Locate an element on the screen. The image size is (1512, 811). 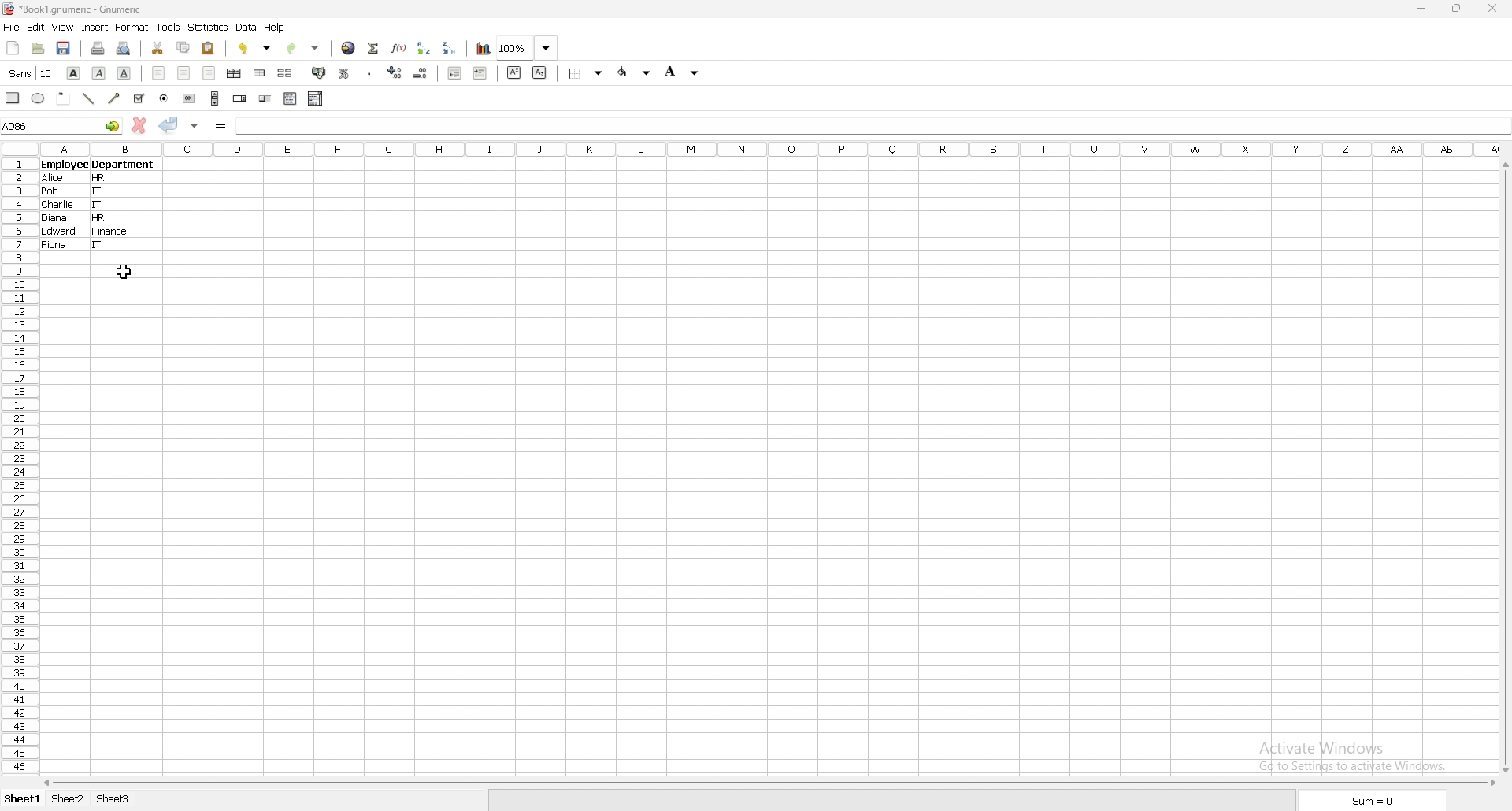
decrease decimals is located at coordinates (421, 73).